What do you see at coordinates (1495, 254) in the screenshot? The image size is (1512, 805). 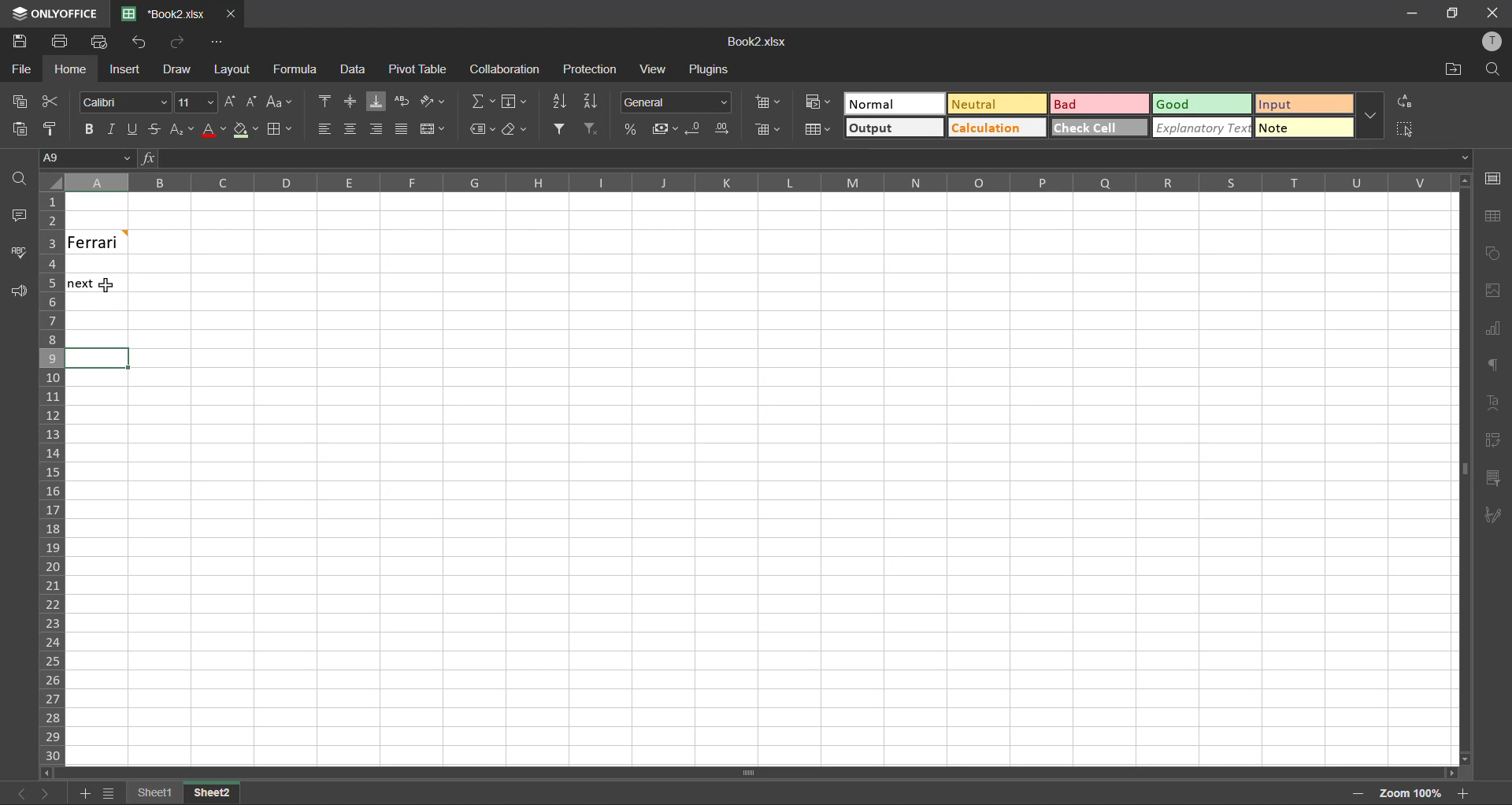 I see `shapes` at bounding box center [1495, 254].